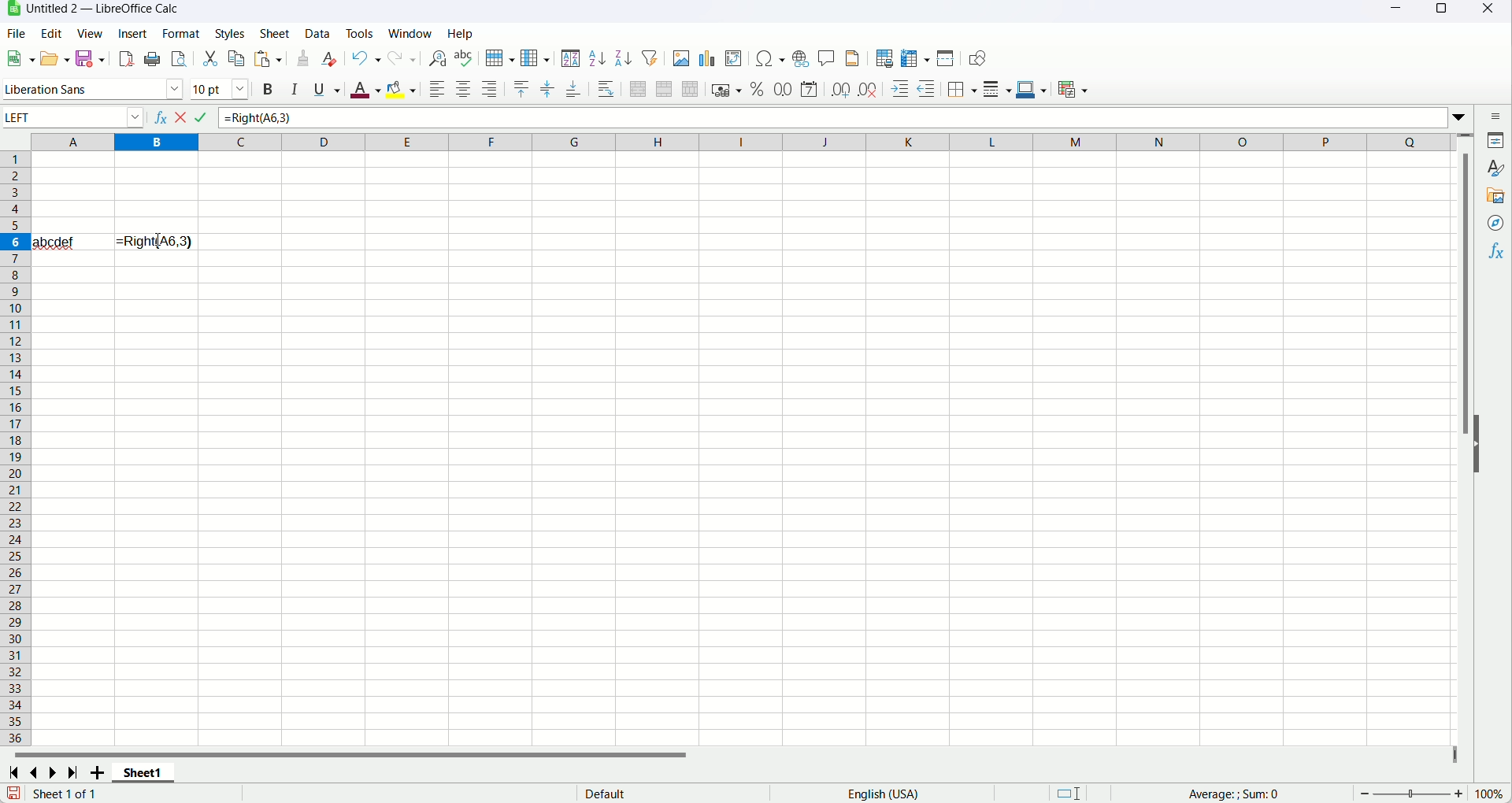  Describe the element at coordinates (1488, 794) in the screenshot. I see `100%` at that location.